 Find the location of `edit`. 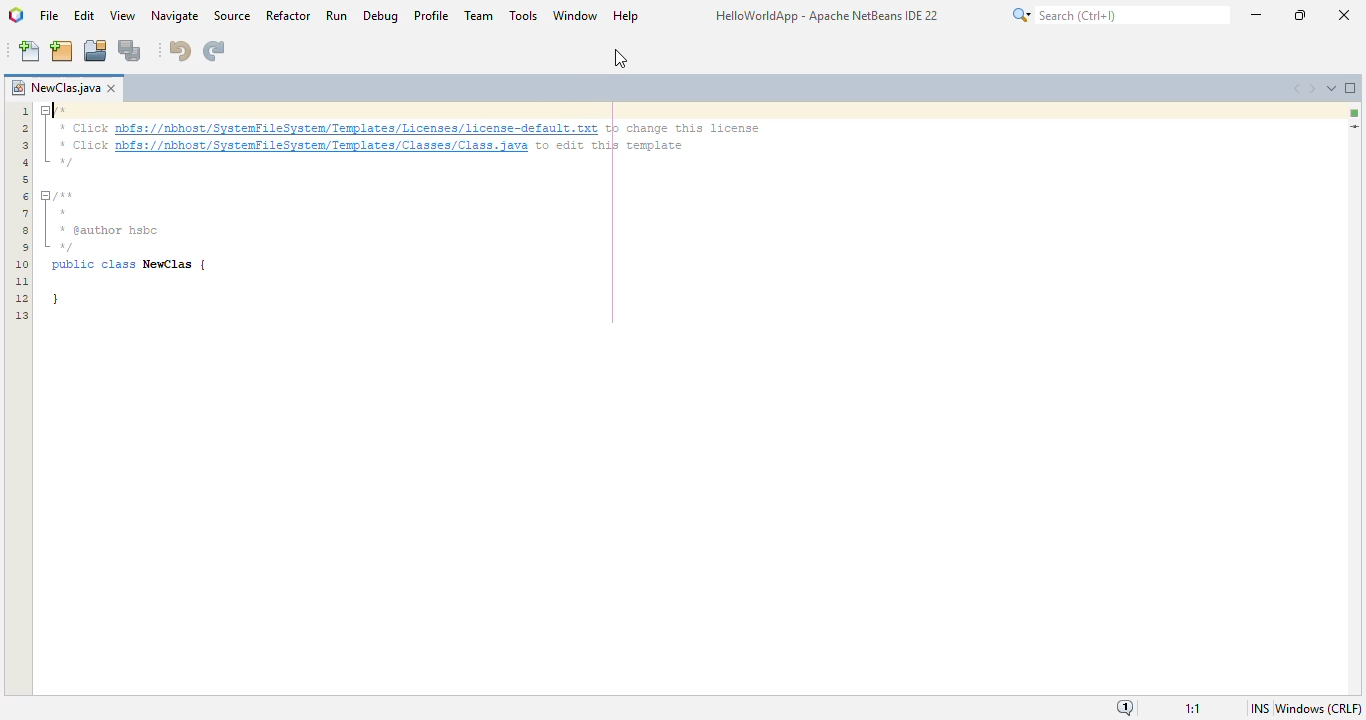

edit is located at coordinates (85, 16).